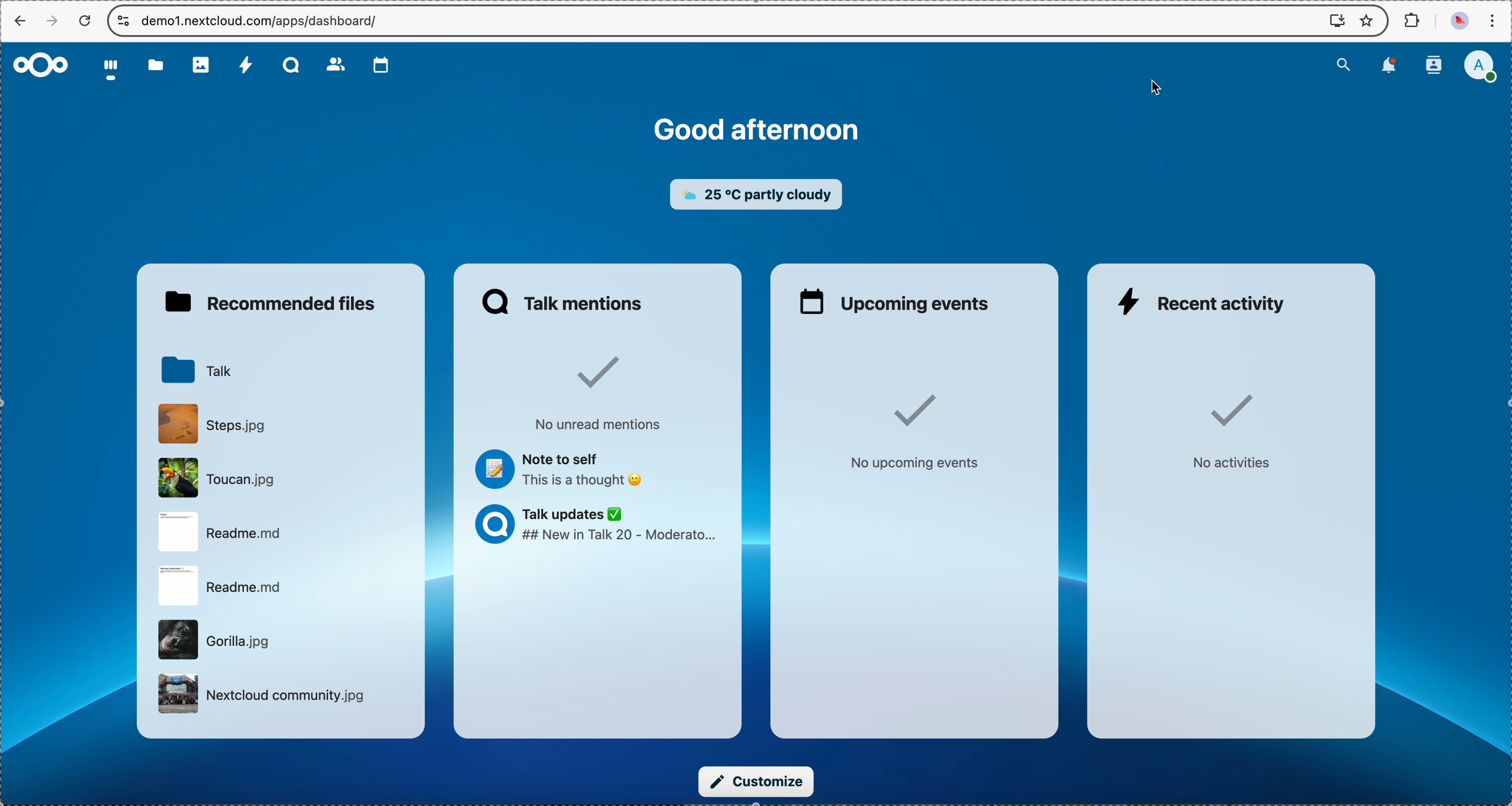 The width and height of the screenshot is (1512, 806). I want to click on activity, so click(248, 66).